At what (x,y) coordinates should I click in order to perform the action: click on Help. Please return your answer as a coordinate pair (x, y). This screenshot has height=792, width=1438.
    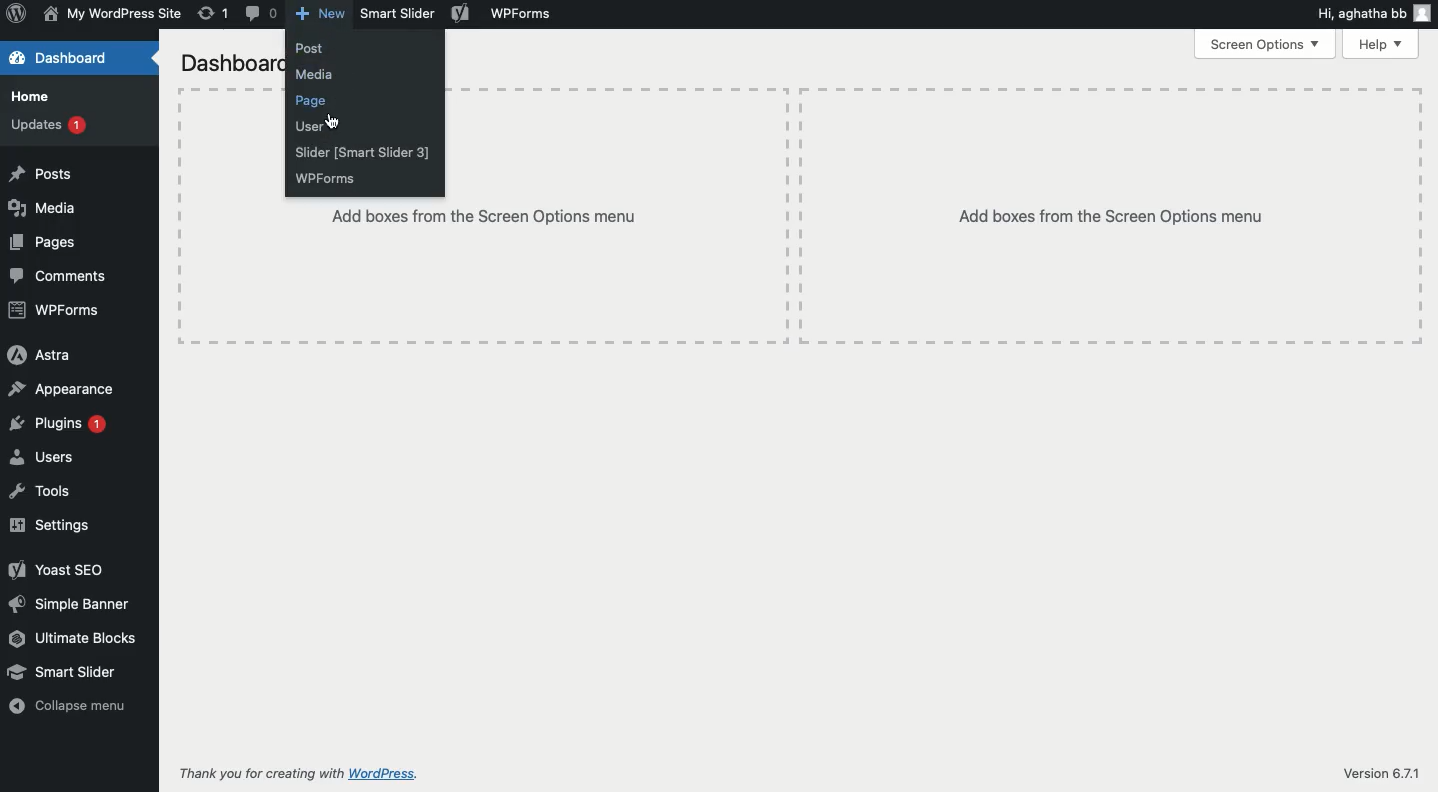
    Looking at the image, I should click on (1382, 45).